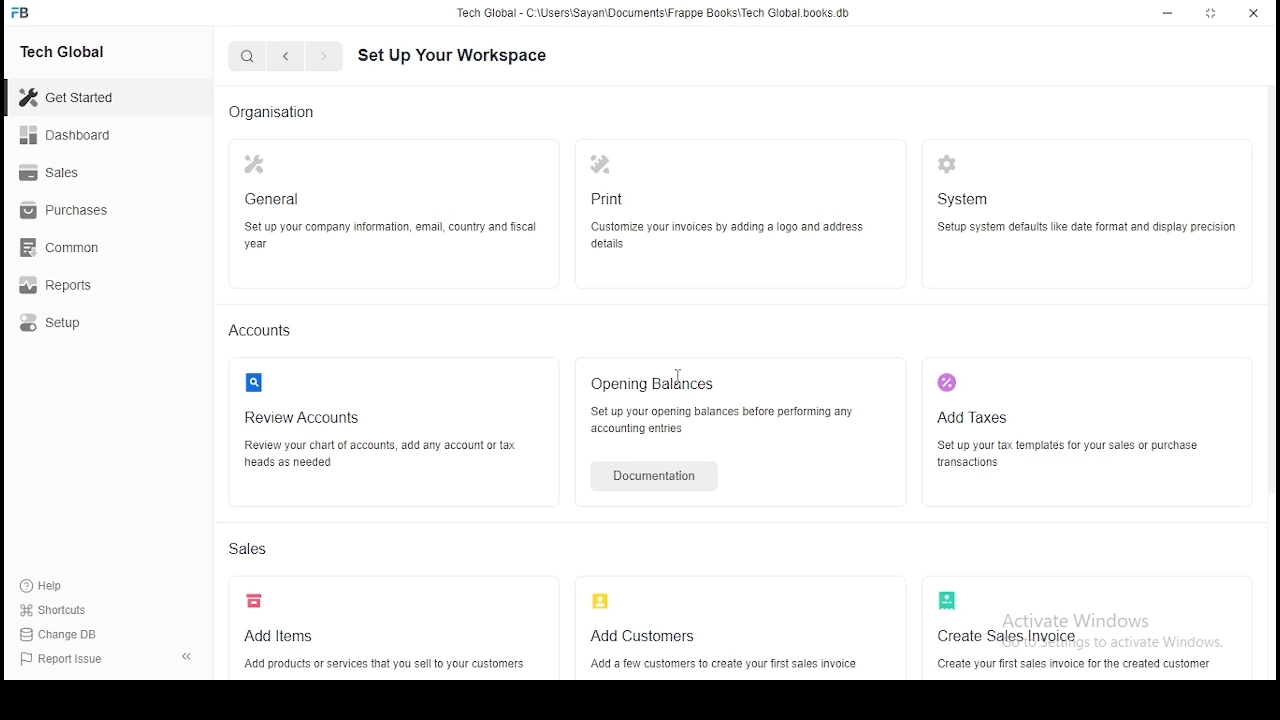 The width and height of the screenshot is (1280, 720). I want to click on Sales , so click(80, 175).